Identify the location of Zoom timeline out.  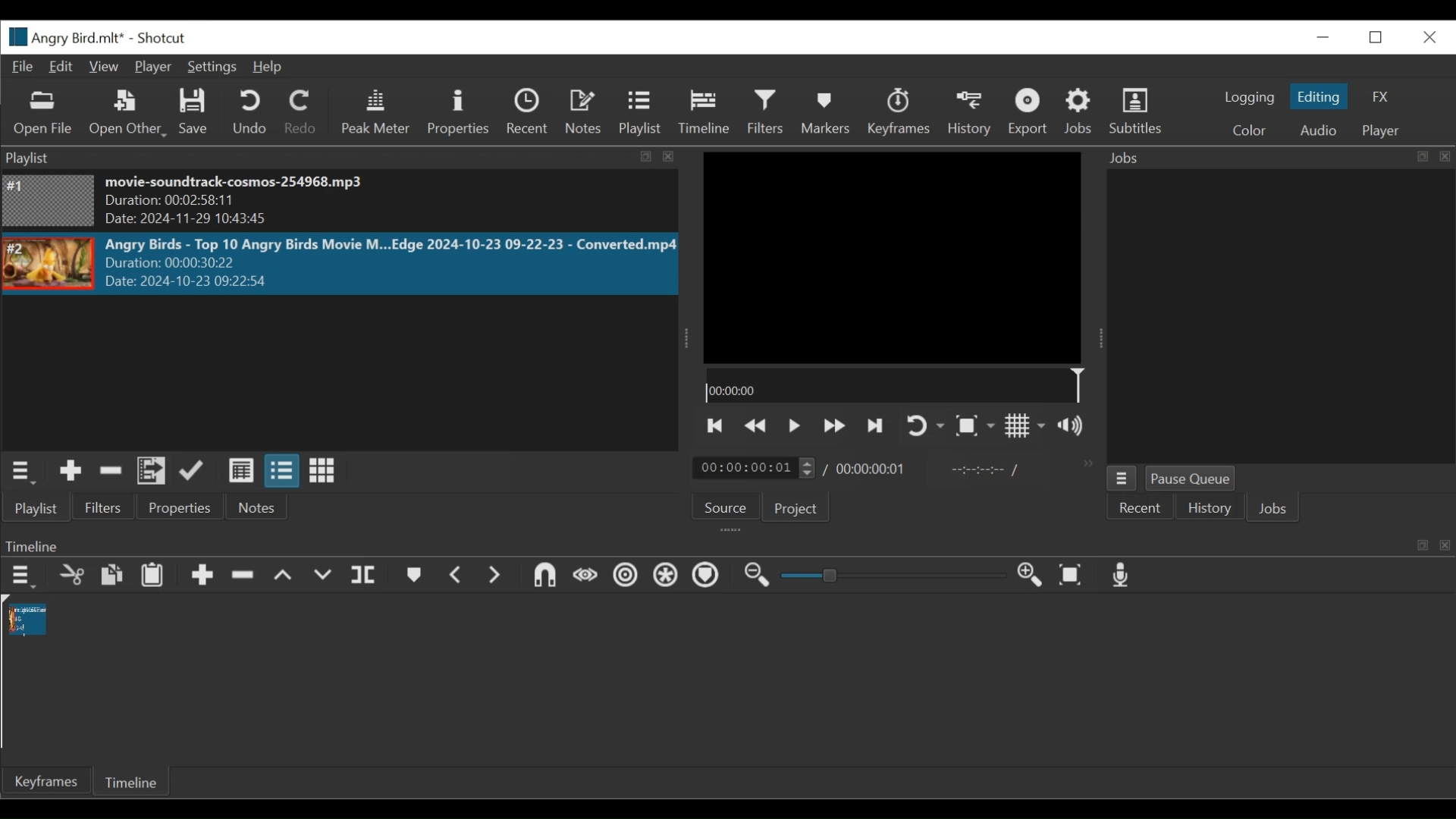
(761, 576).